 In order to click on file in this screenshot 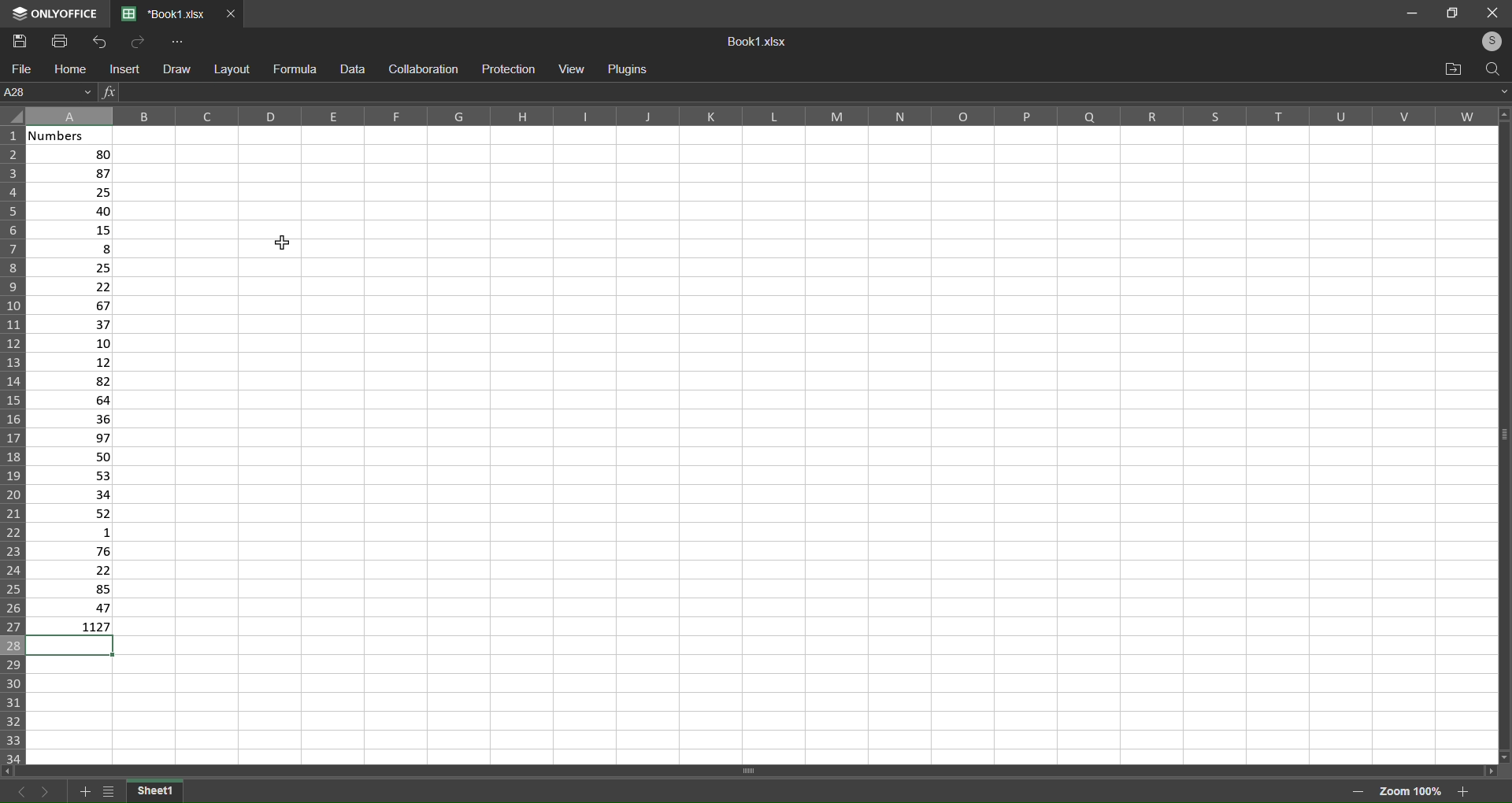, I will do `click(22, 69)`.